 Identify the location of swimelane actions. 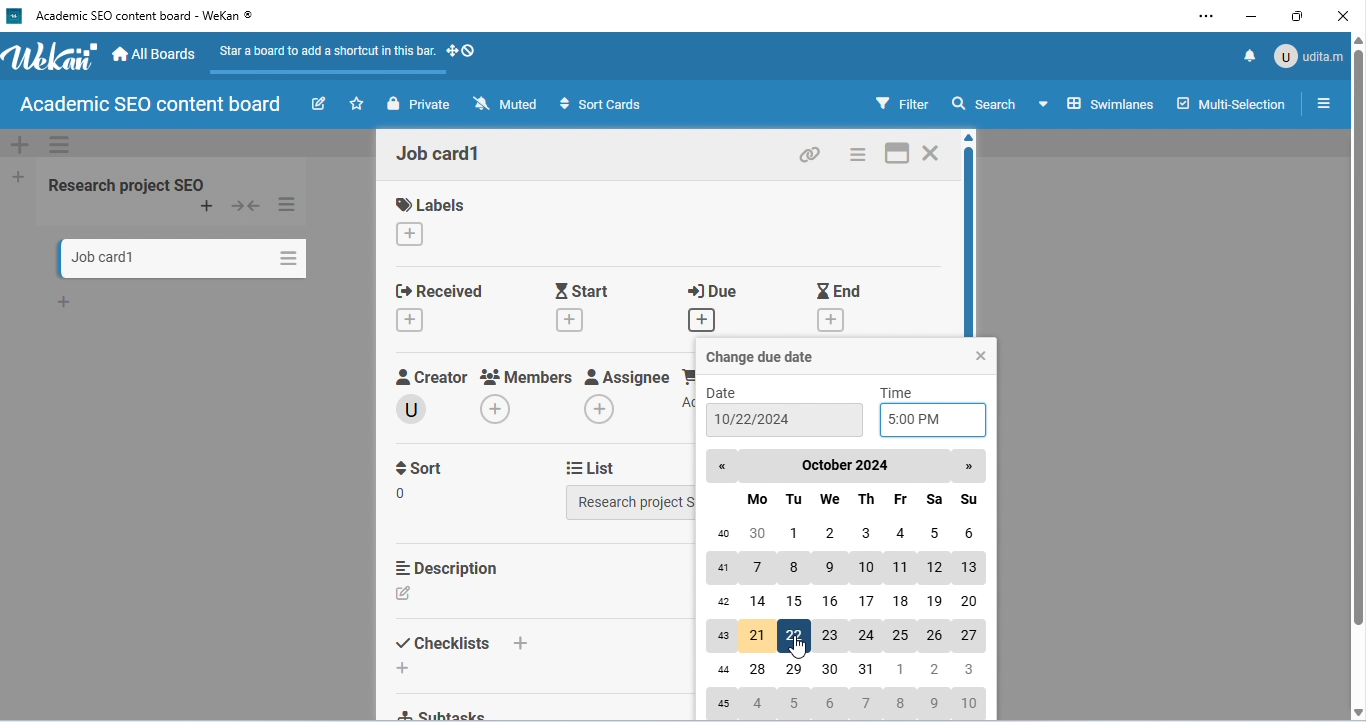
(60, 146).